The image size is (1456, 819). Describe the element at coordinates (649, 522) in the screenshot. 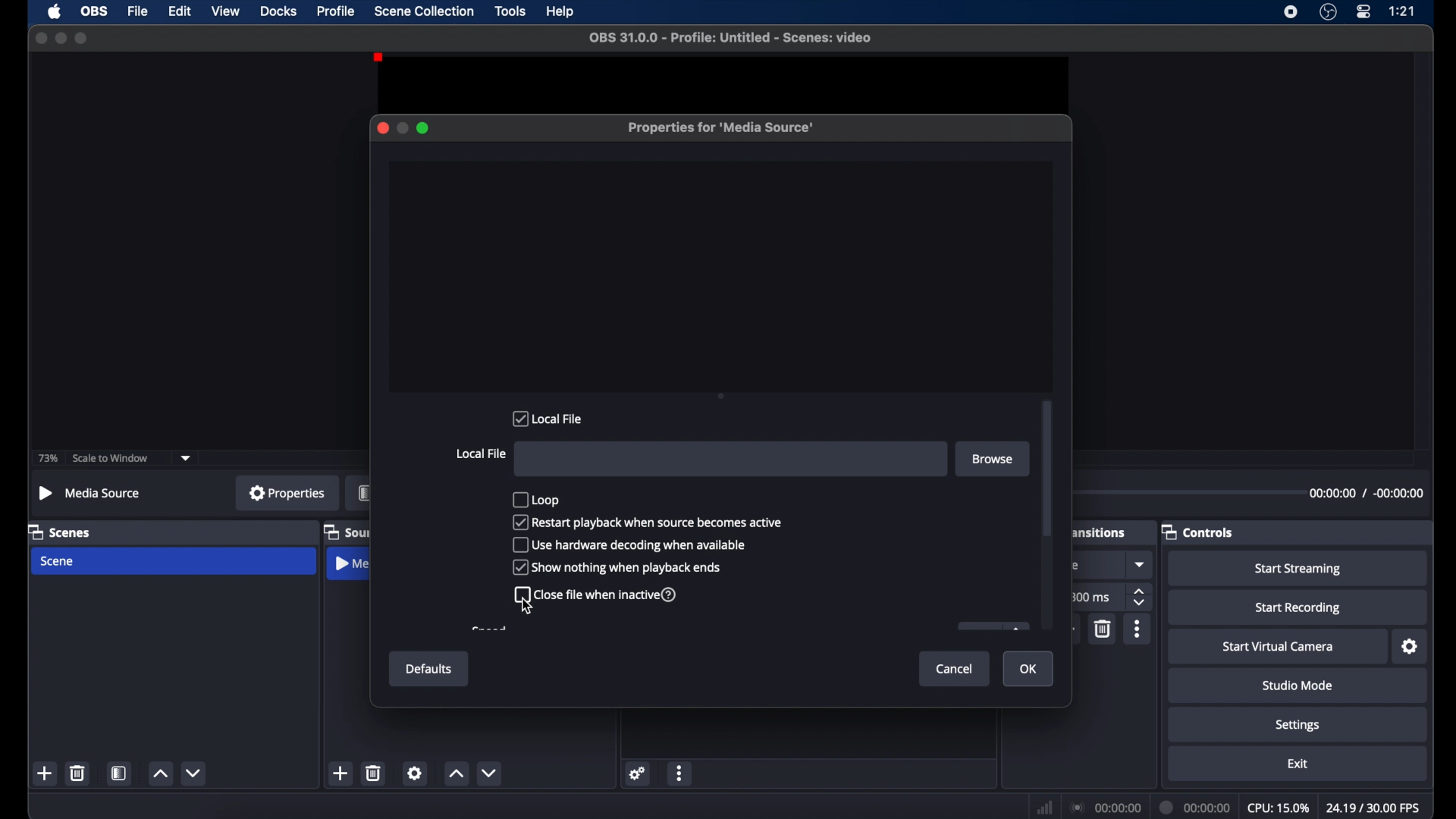

I see `restart playback when source becomes active` at that location.